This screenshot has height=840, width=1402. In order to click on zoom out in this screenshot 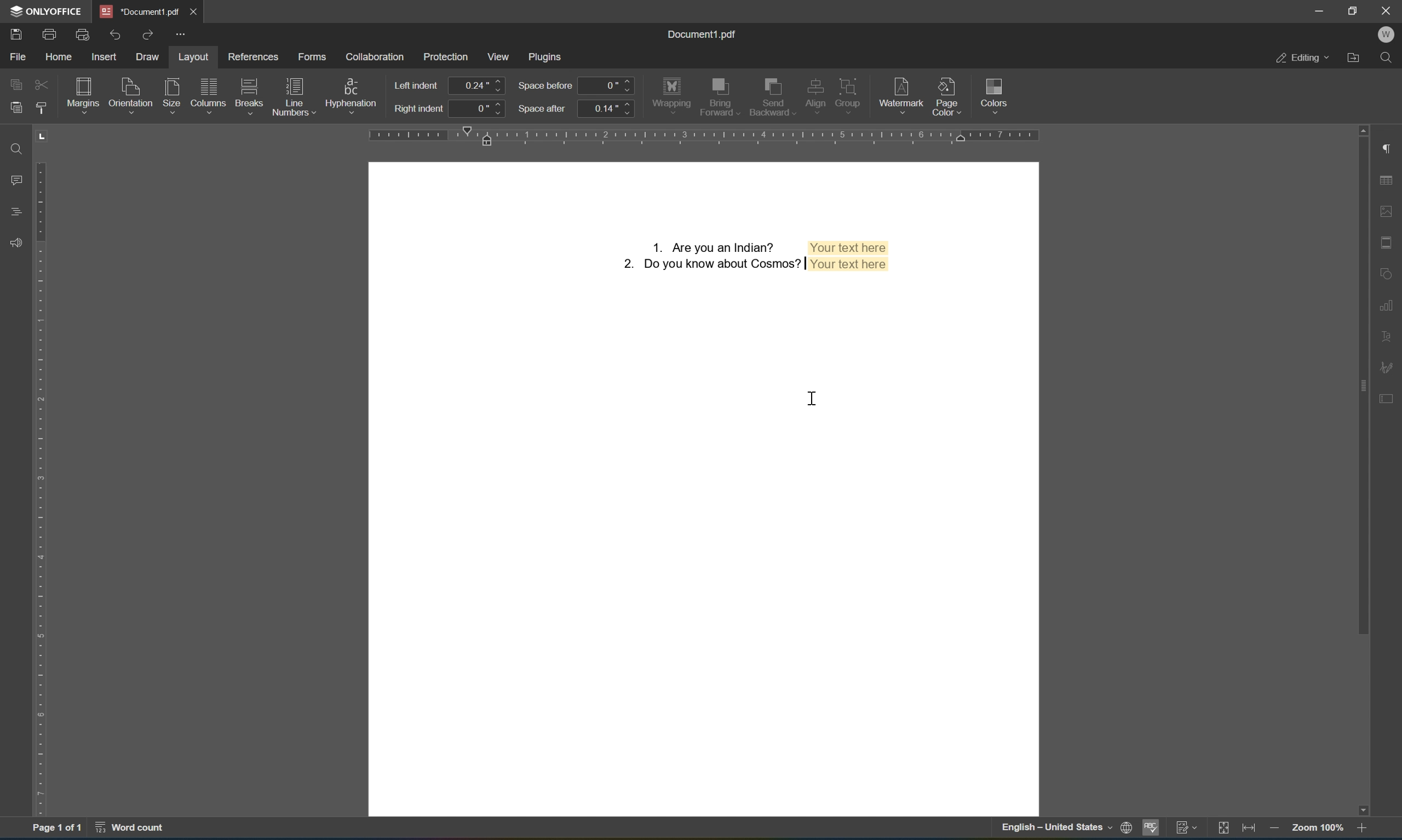, I will do `click(1272, 830)`.